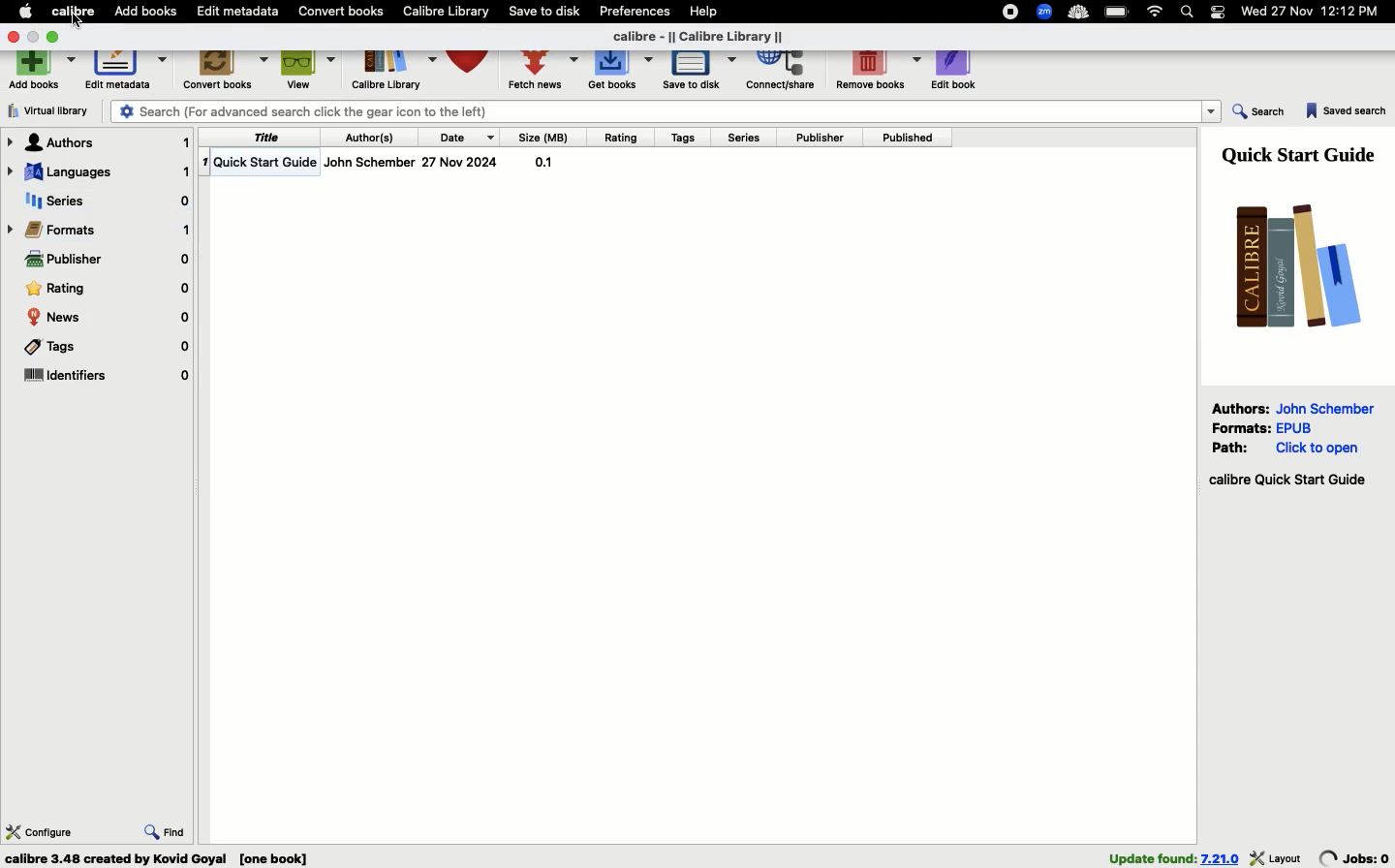 The height and width of the screenshot is (868, 1395). What do you see at coordinates (1355, 857) in the screenshot?
I see `jobs` at bounding box center [1355, 857].